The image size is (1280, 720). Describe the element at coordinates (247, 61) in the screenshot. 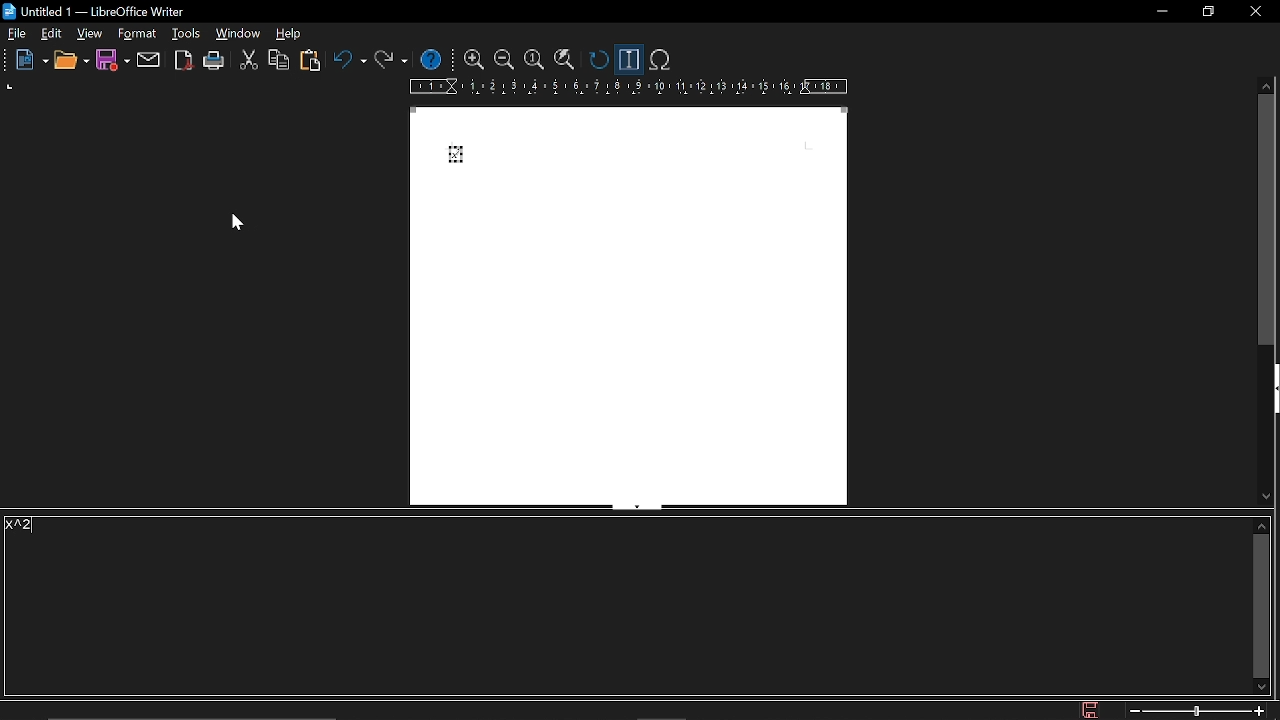

I see `cut ` at that location.